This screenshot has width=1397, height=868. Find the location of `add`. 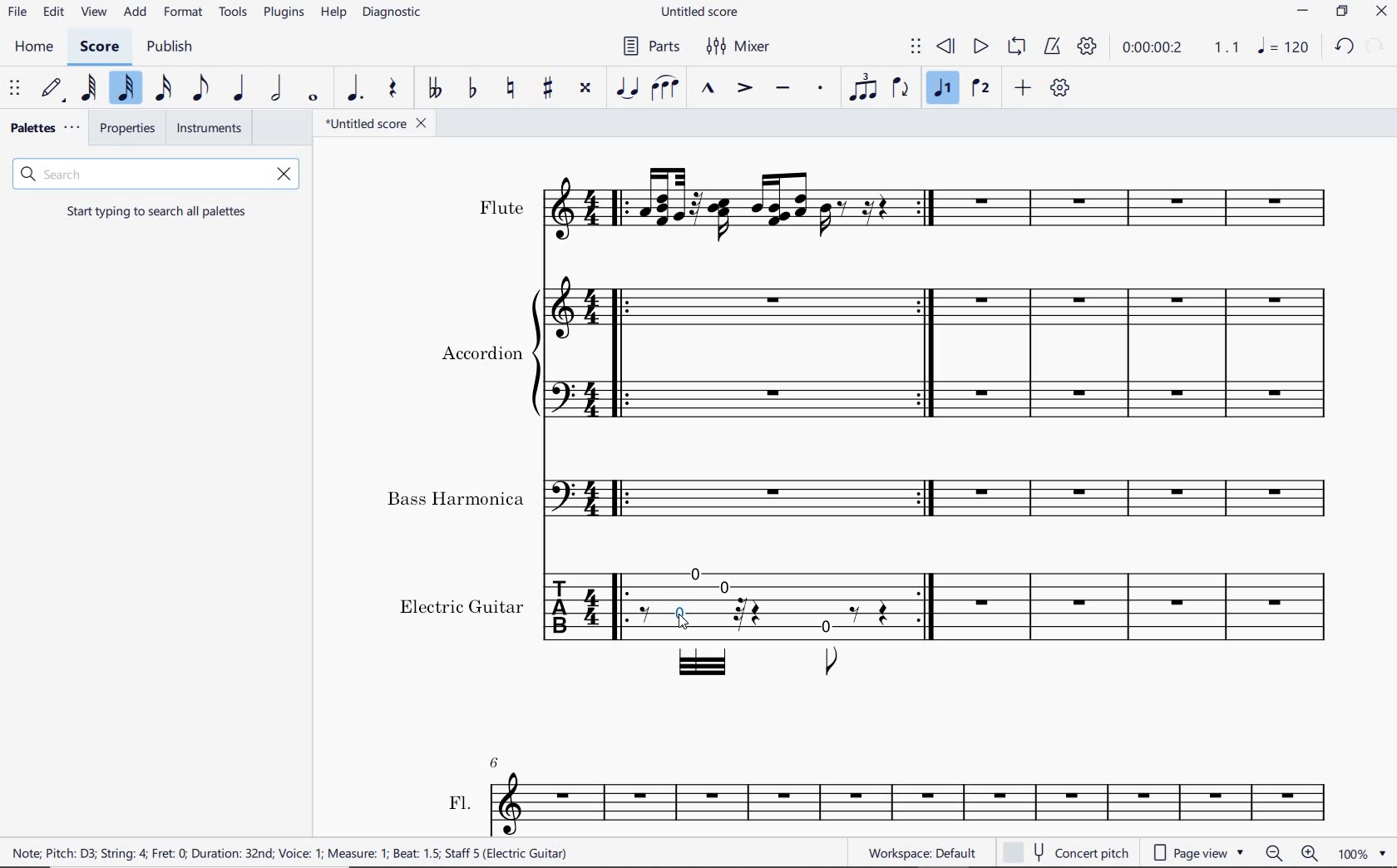

add is located at coordinates (136, 14).